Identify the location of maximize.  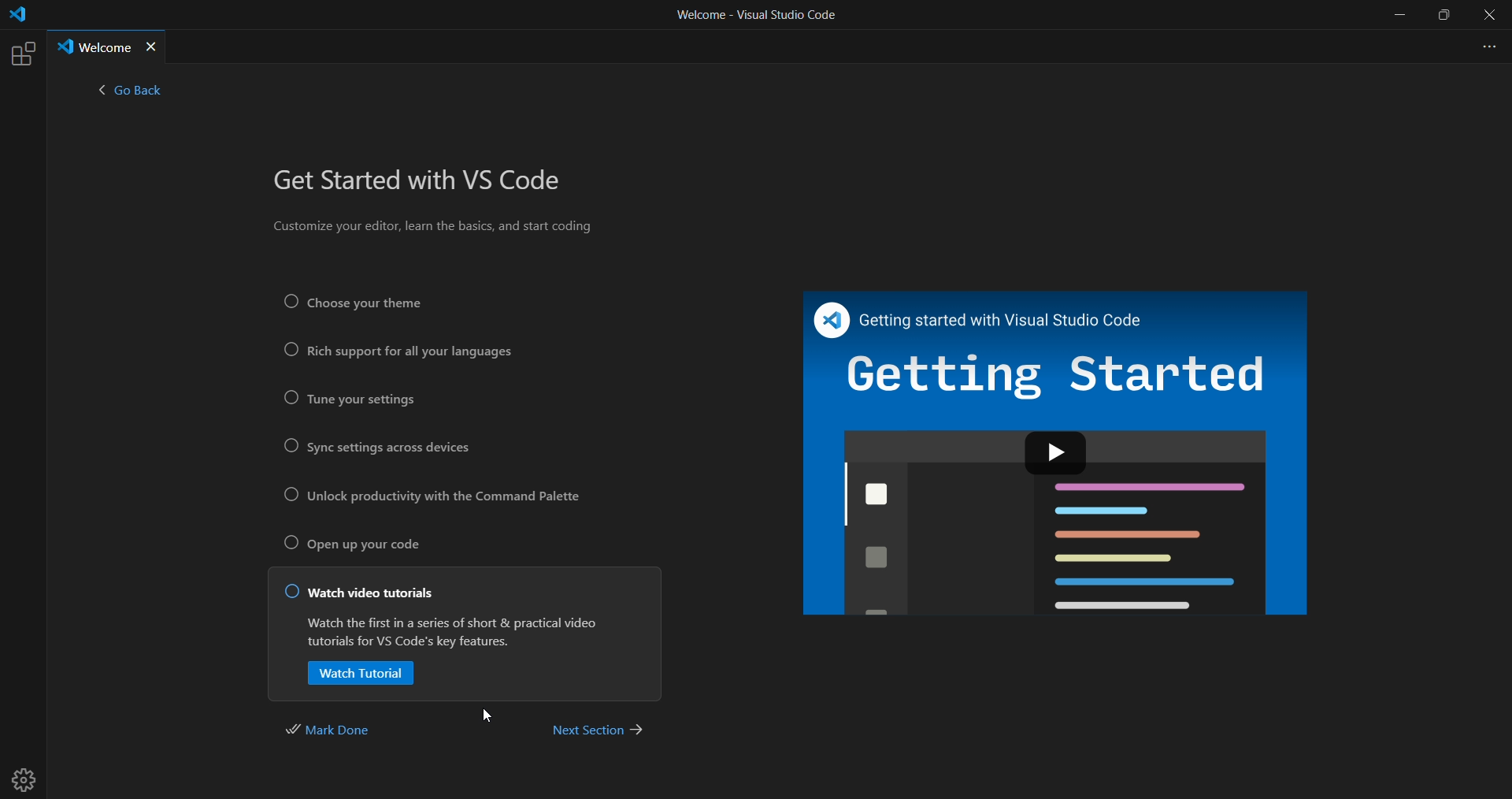
(1446, 16).